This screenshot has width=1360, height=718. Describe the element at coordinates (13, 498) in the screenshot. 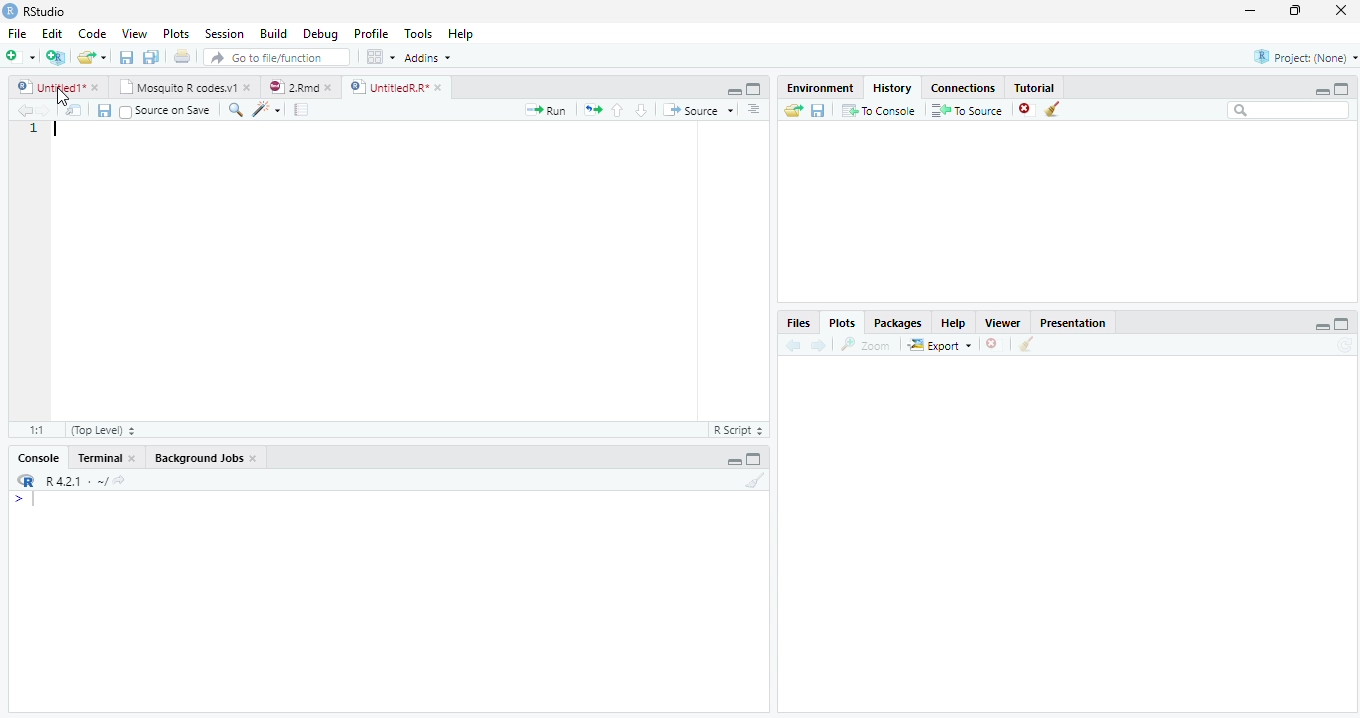

I see `>` at that location.